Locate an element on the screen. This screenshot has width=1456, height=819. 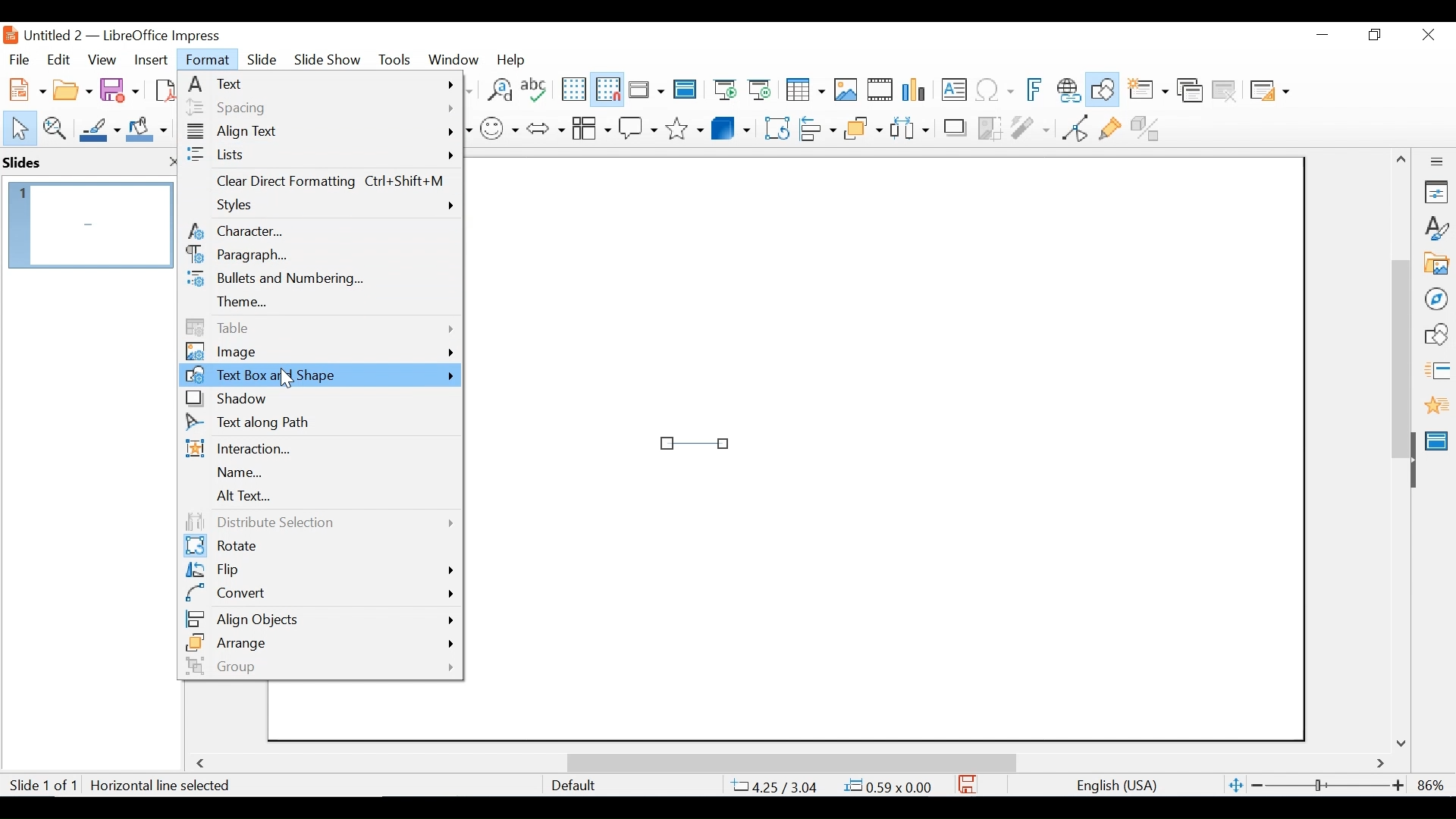
Horizontal line Selected is located at coordinates (162, 786).